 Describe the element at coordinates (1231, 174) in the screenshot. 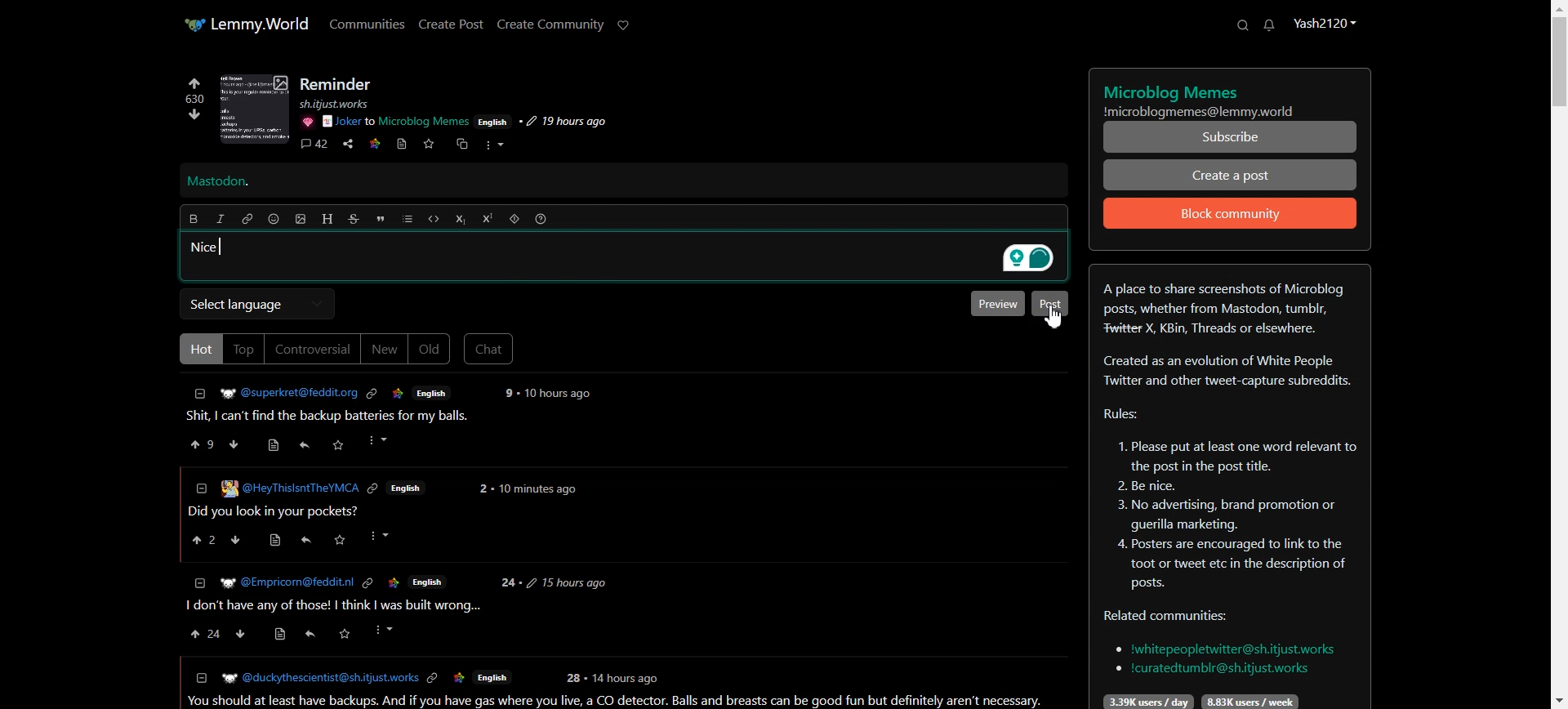

I see `Create a post` at that location.